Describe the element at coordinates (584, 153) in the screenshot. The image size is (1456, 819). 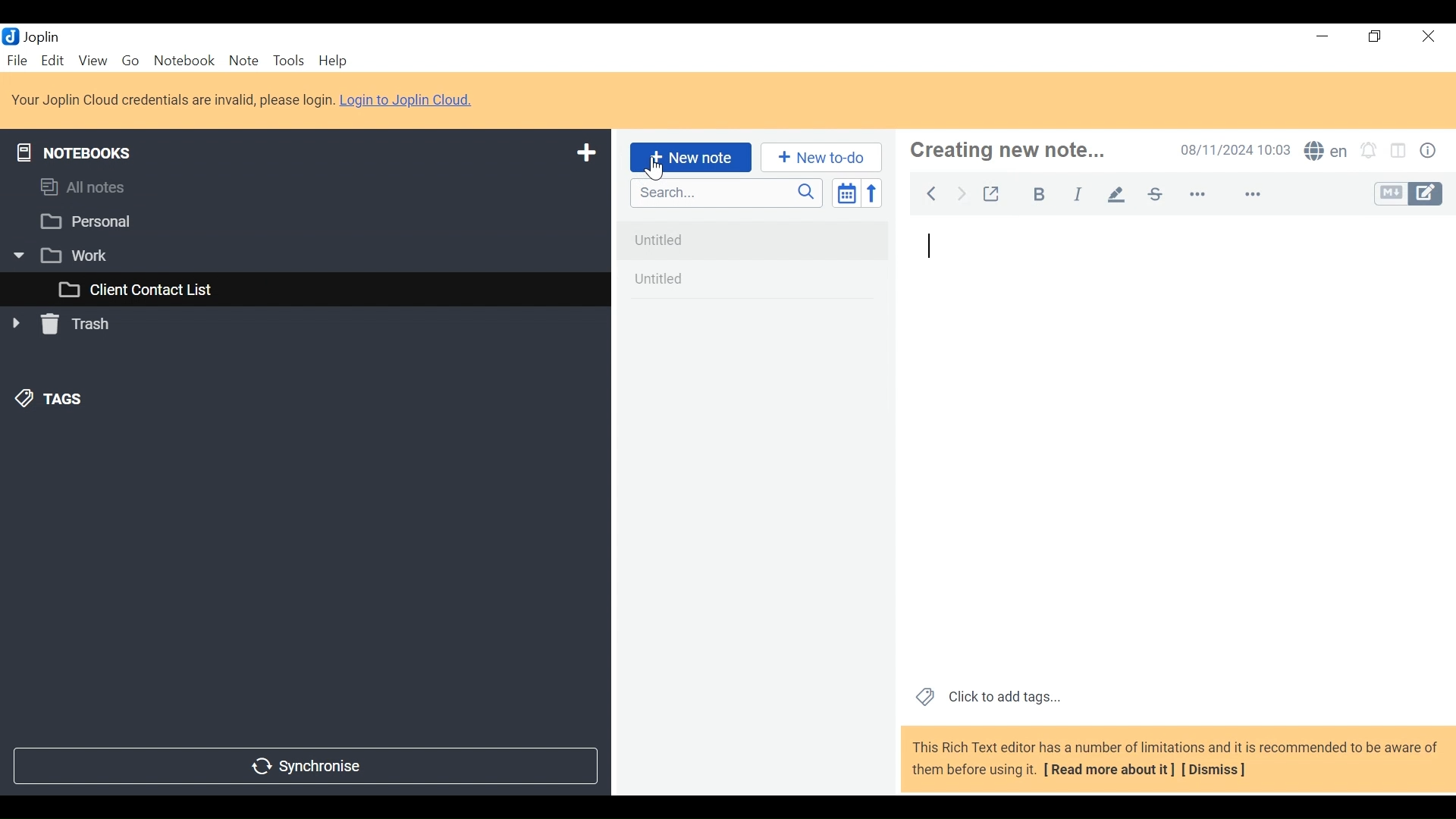
I see `Add a notebook` at that location.